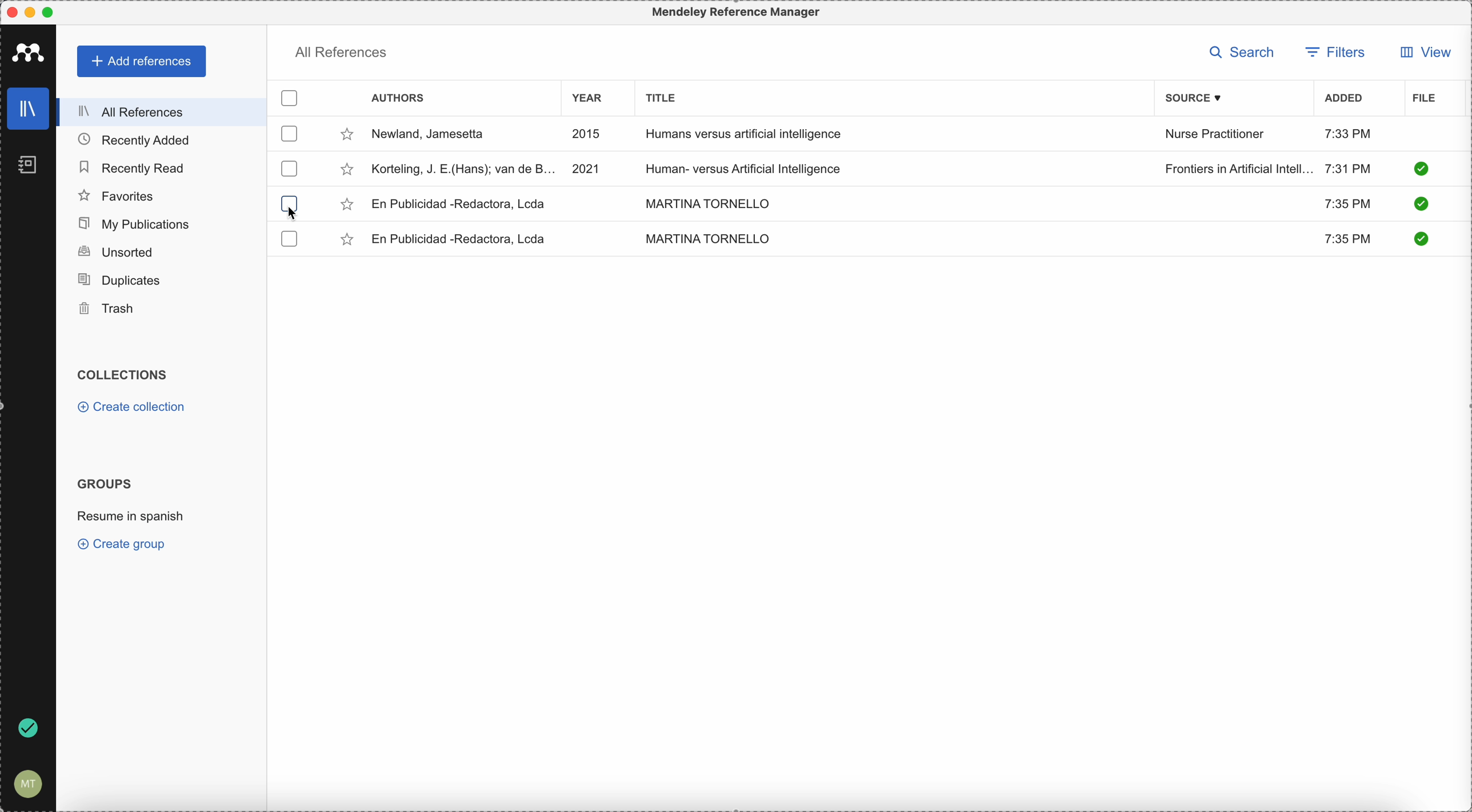 The height and width of the screenshot is (812, 1472). What do you see at coordinates (115, 251) in the screenshot?
I see `unsorted` at bounding box center [115, 251].